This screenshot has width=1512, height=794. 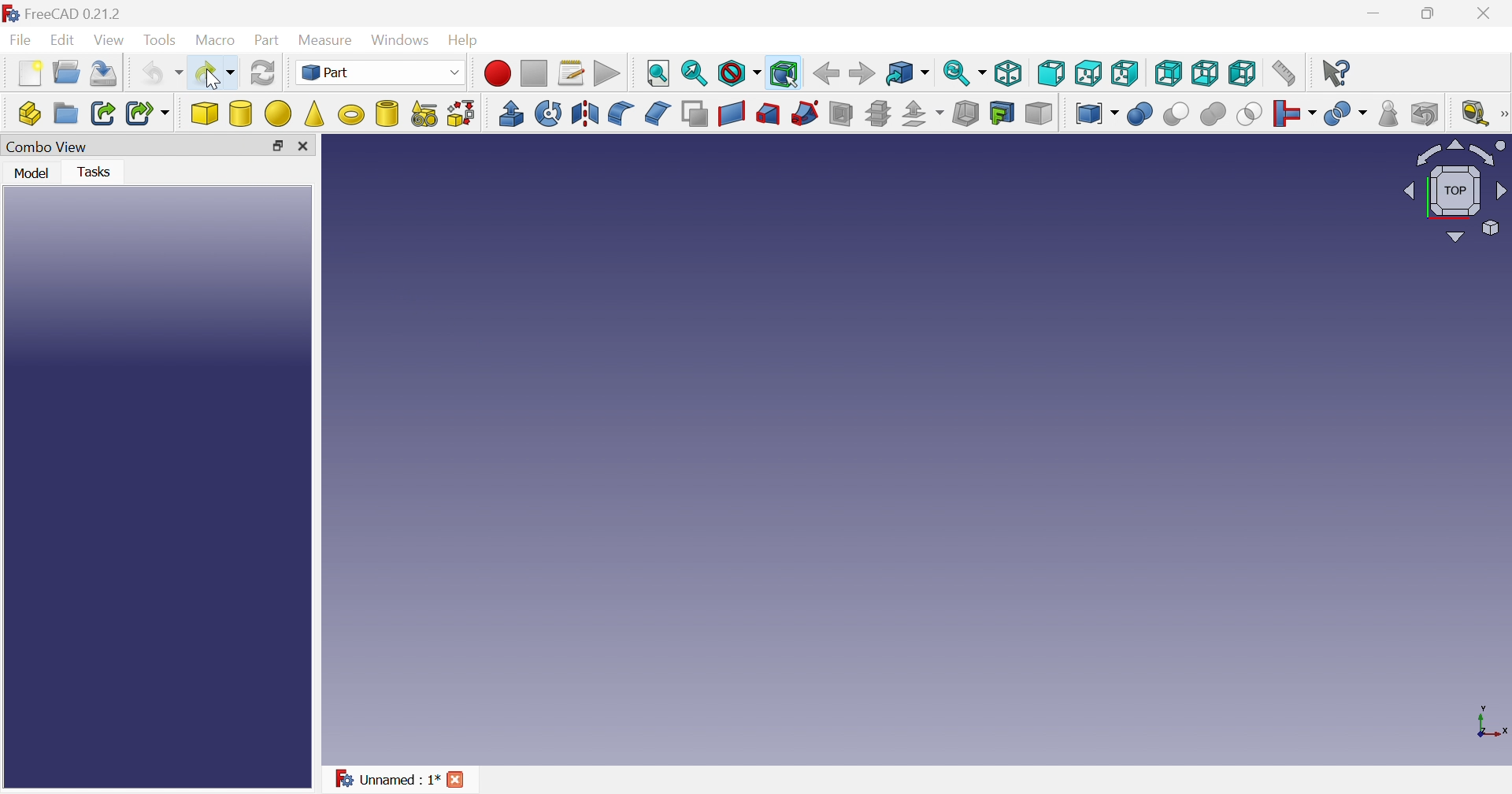 What do you see at coordinates (606, 73) in the screenshot?
I see `Execute macros` at bounding box center [606, 73].